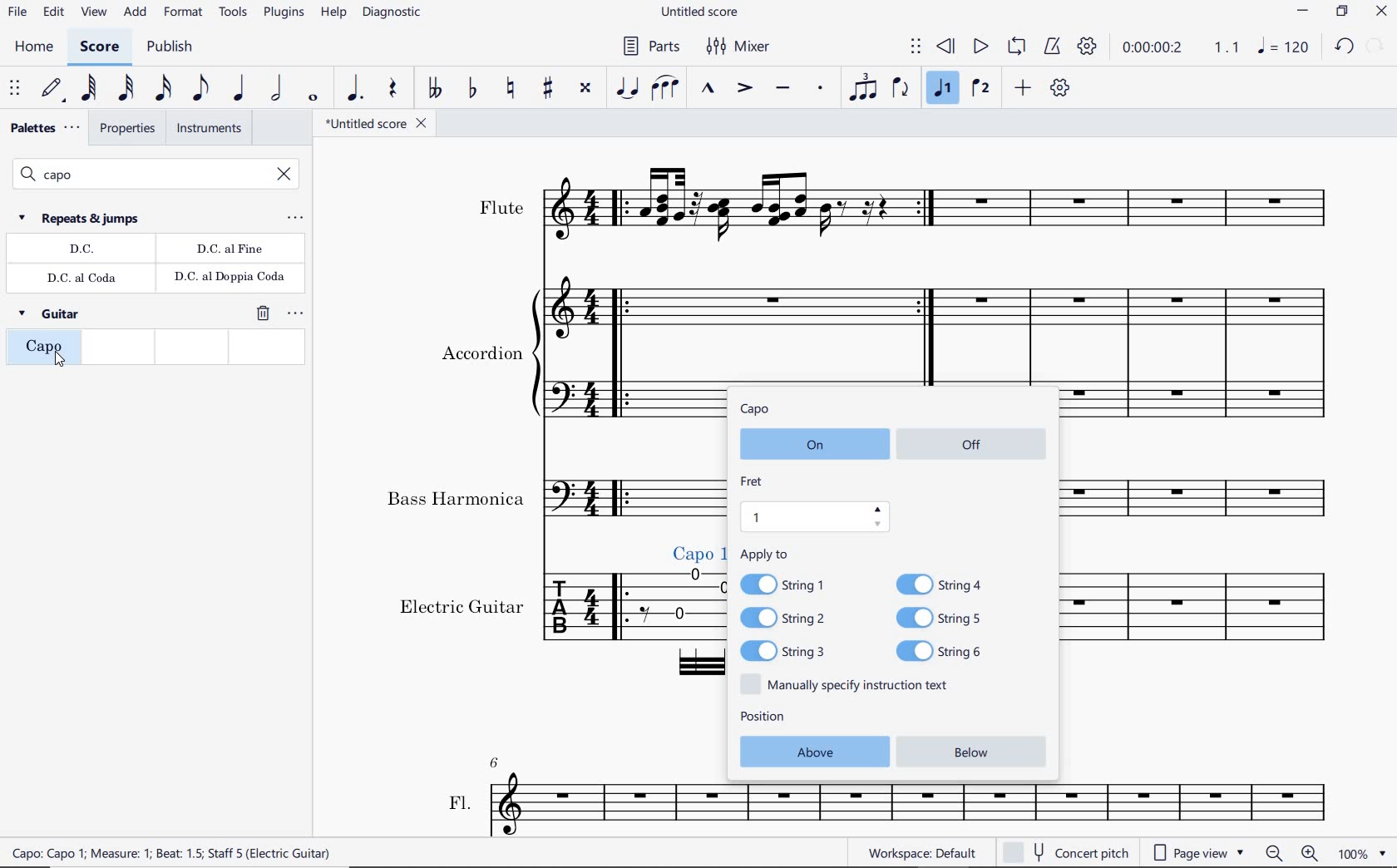 The height and width of the screenshot is (868, 1397). Describe the element at coordinates (859, 89) in the screenshot. I see `tuplet` at that location.